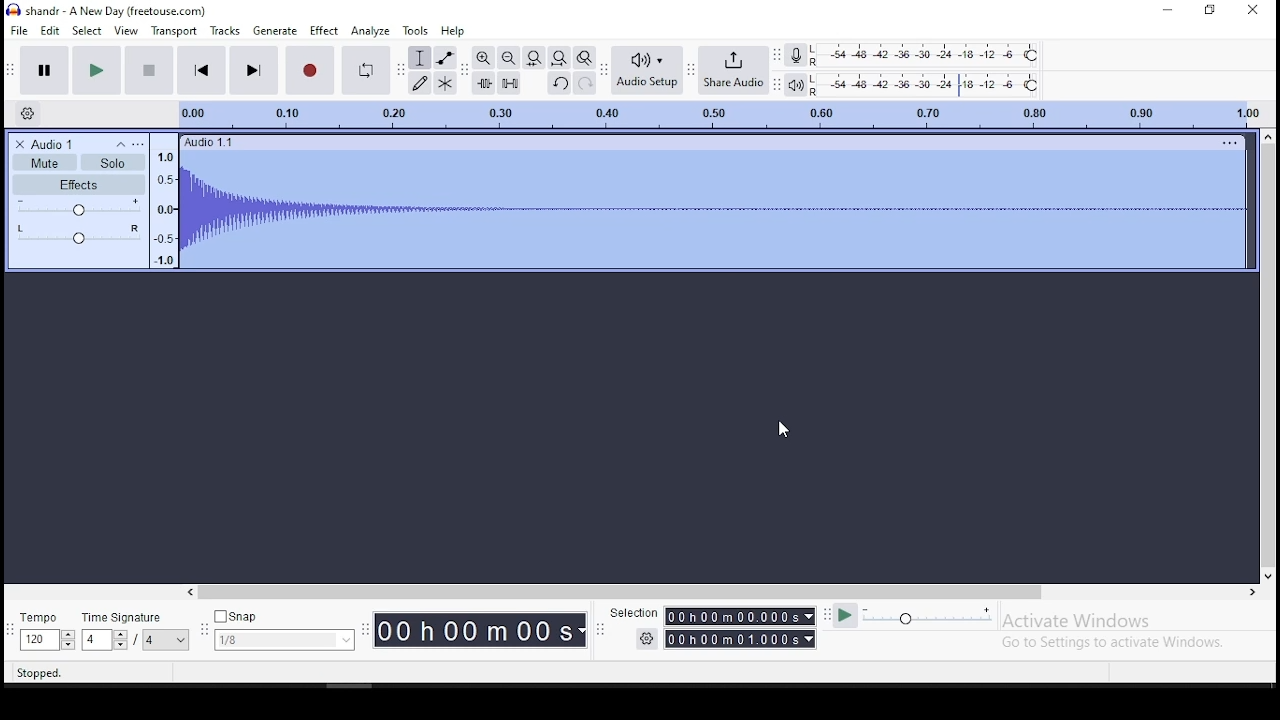 The height and width of the screenshot is (720, 1280). I want to click on new audio track , so click(712, 209).